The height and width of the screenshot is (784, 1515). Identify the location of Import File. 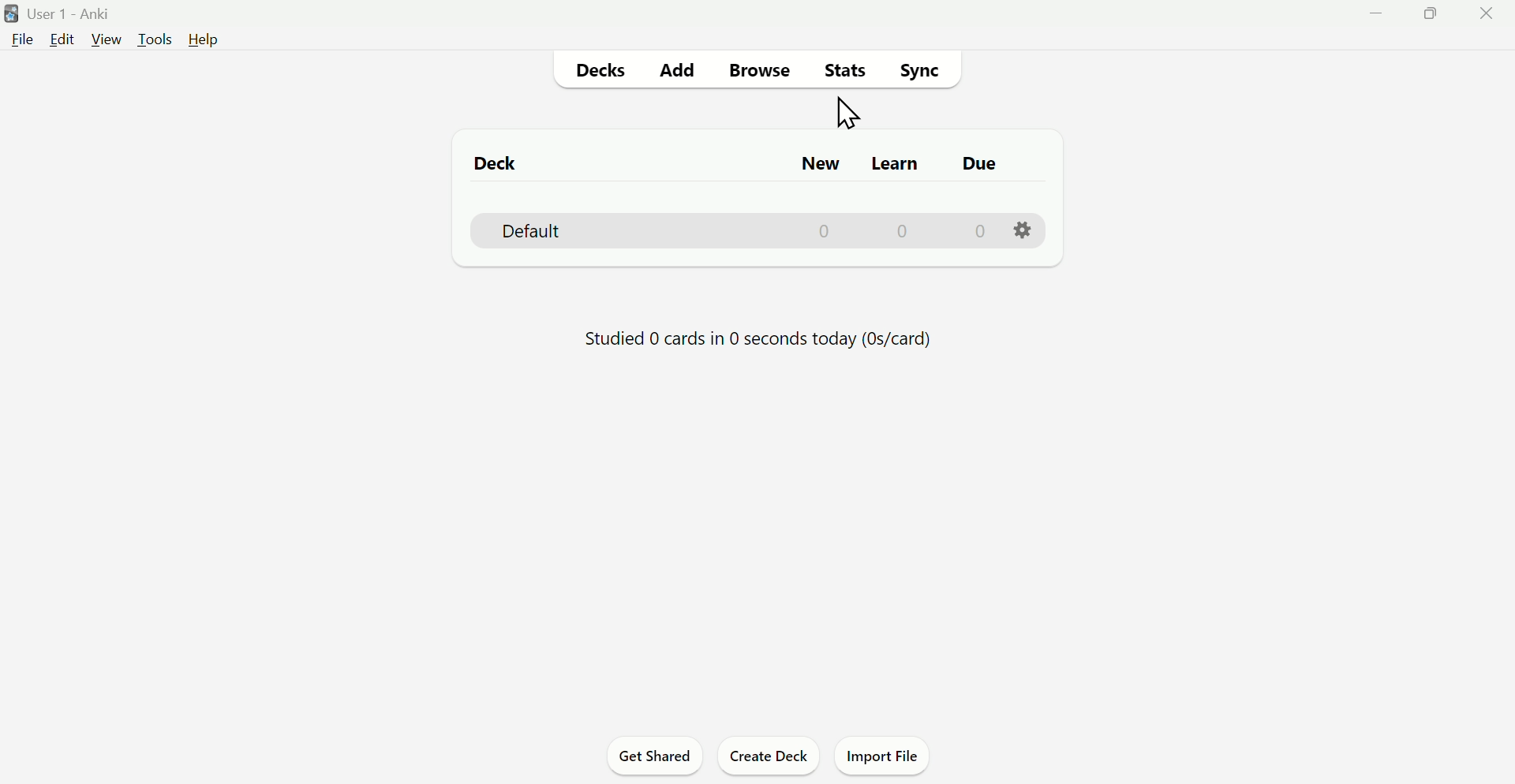
(885, 754).